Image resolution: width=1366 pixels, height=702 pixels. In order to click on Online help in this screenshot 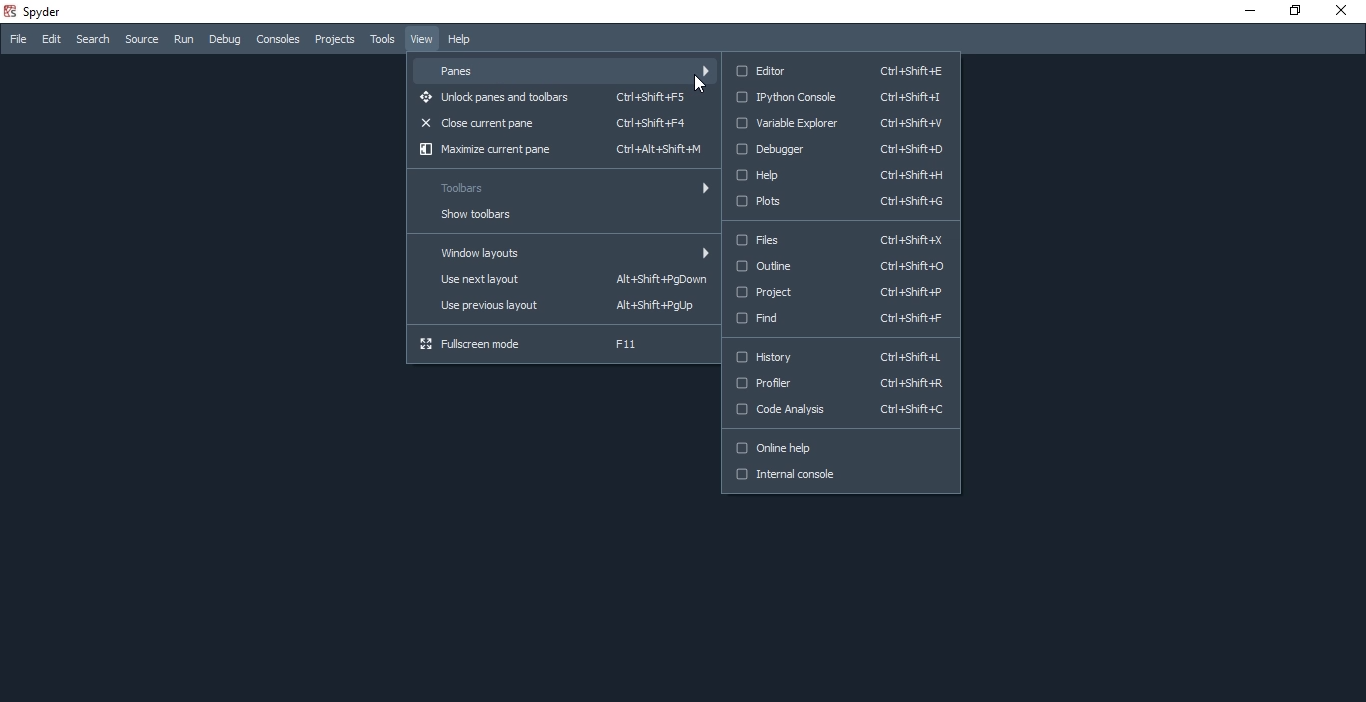, I will do `click(840, 449)`.